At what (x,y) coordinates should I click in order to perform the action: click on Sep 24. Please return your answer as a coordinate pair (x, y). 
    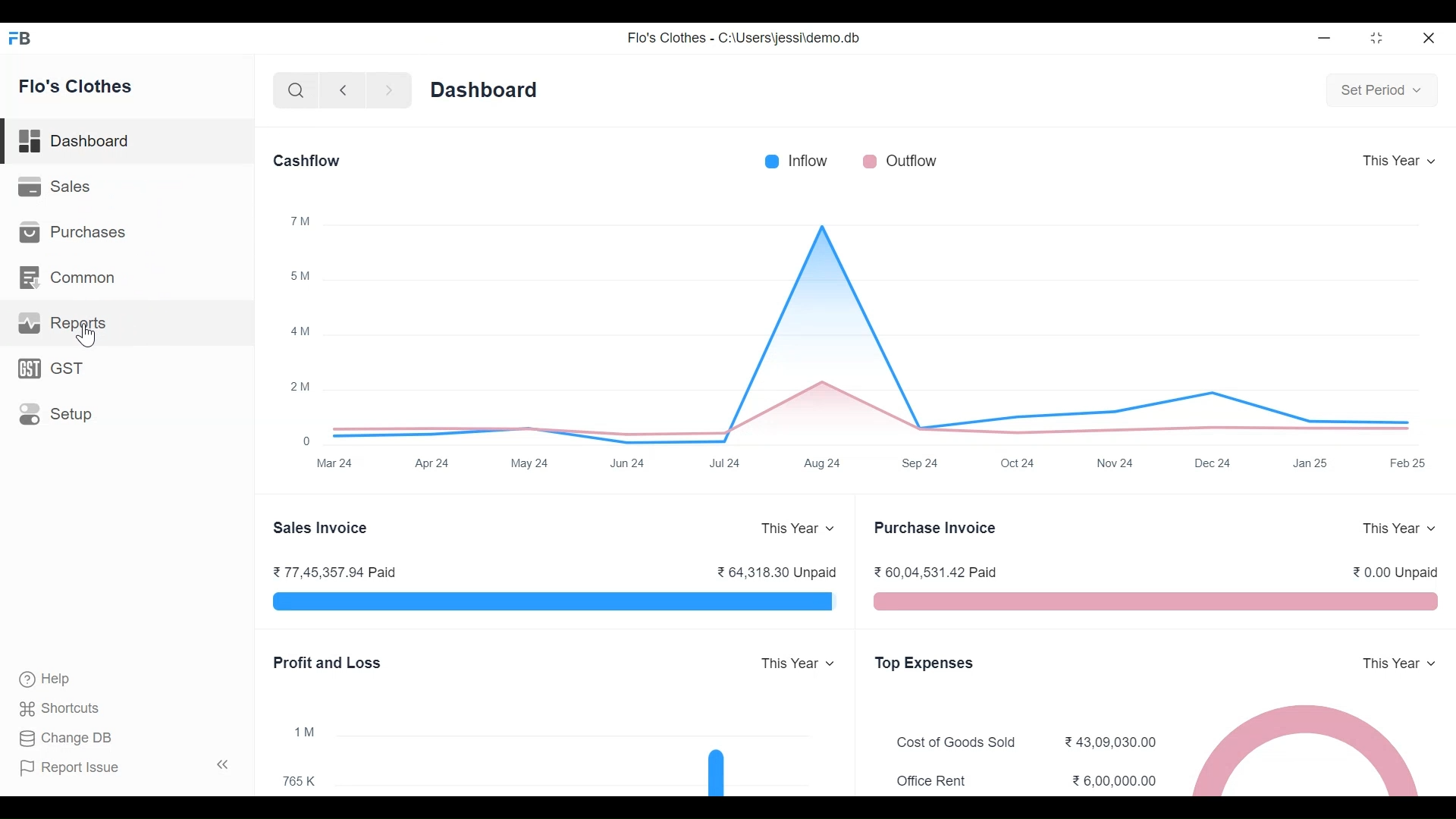
    Looking at the image, I should click on (921, 464).